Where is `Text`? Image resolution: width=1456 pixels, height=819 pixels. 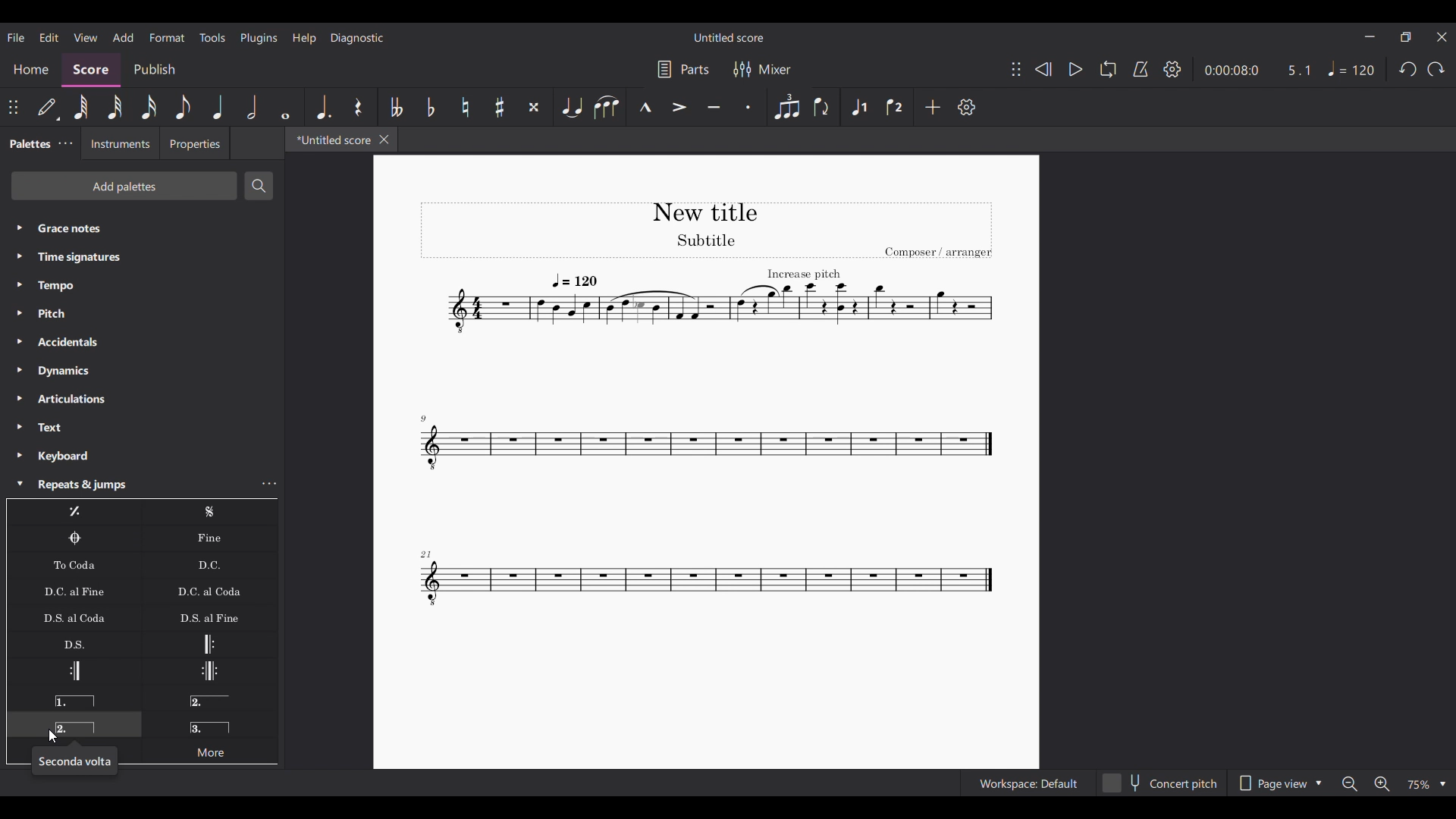
Text is located at coordinates (143, 428).